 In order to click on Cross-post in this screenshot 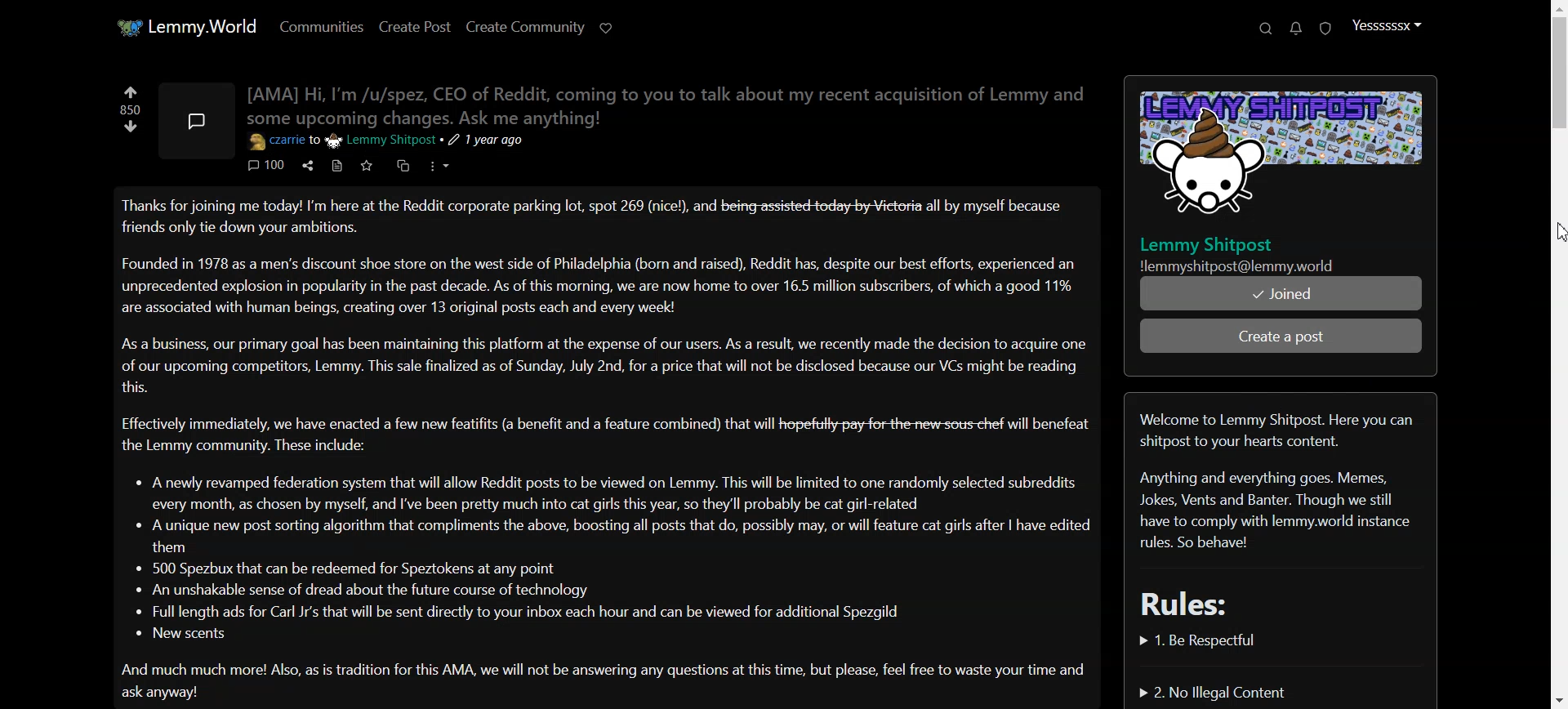, I will do `click(402, 166)`.